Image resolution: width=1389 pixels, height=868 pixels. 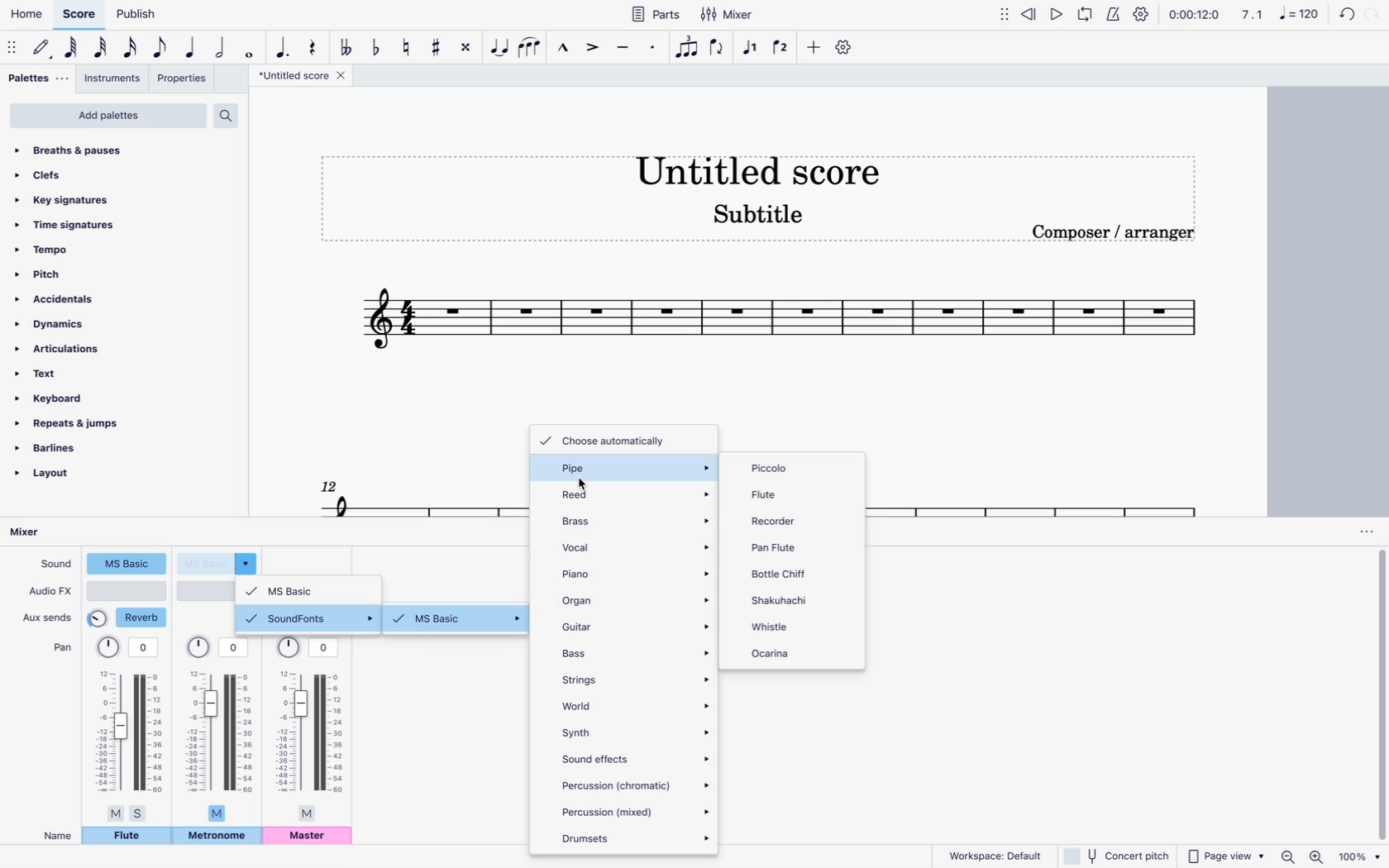 What do you see at coordinates (60, 648) in the screenshot?
I see `pan` at bounding box center [60, 648].